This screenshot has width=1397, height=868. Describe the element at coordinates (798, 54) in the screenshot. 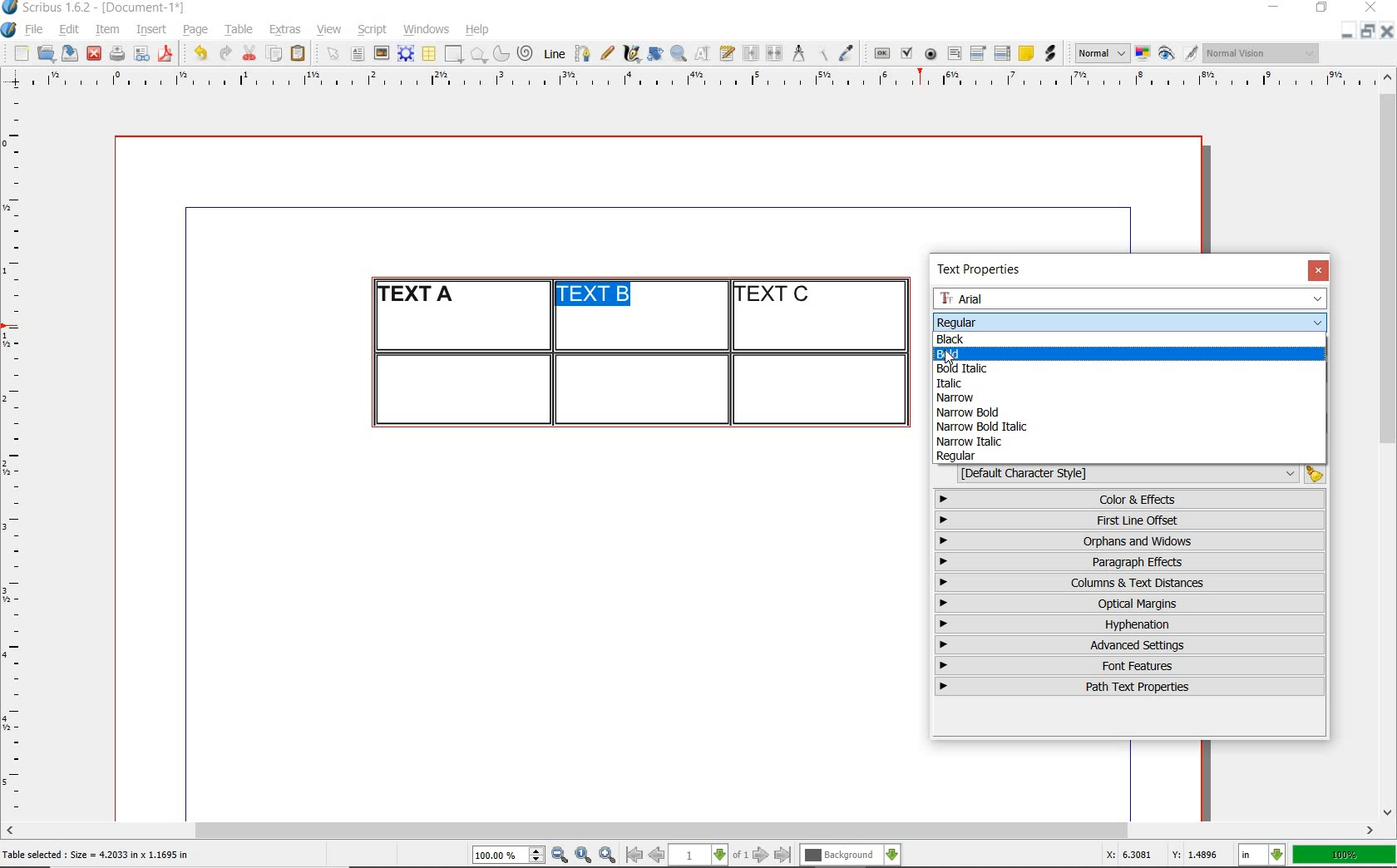

I see `measurements` at that location.